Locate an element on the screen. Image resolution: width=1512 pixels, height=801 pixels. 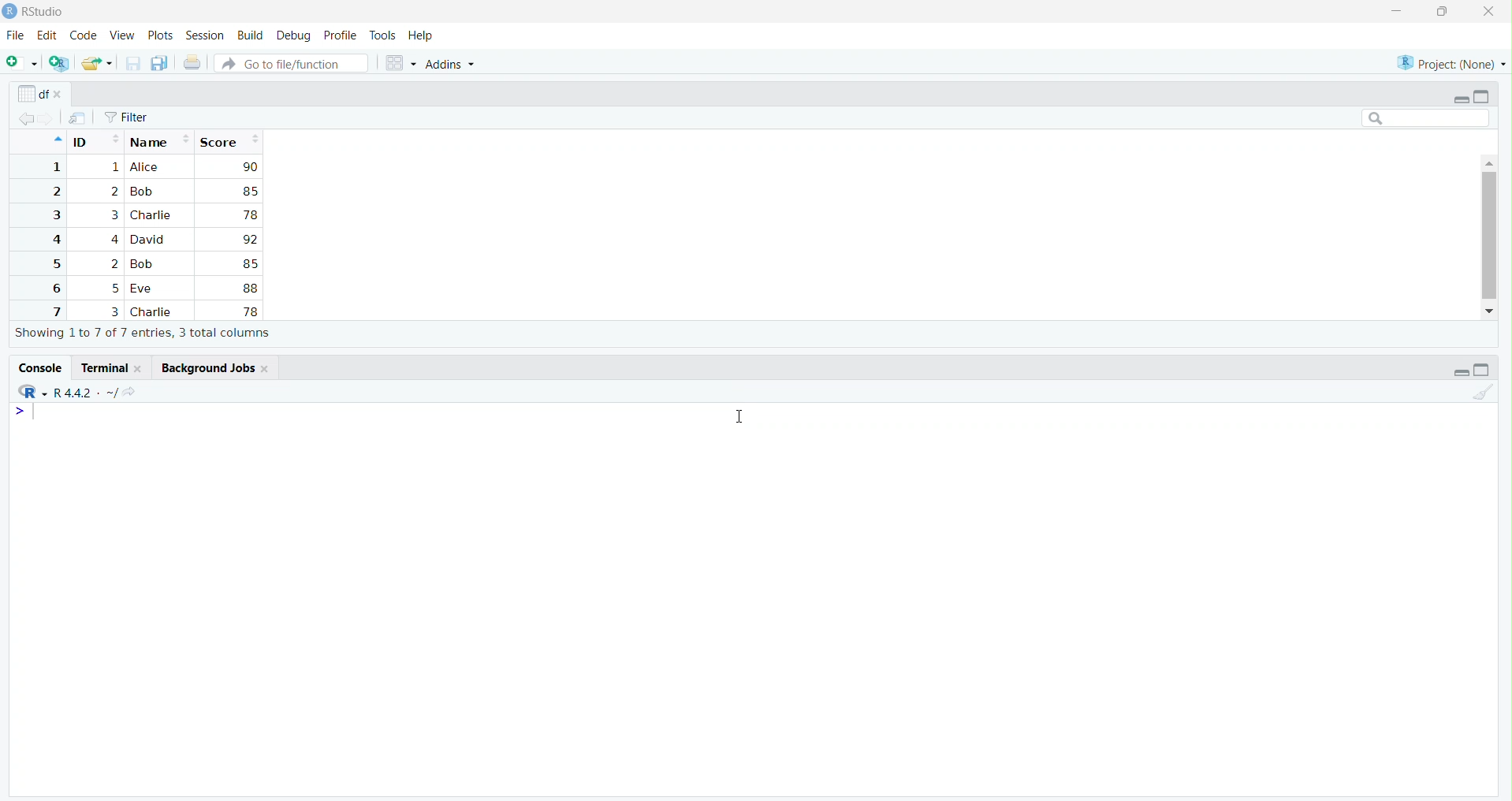
RStudio menu is located at coordinates (32, 392).